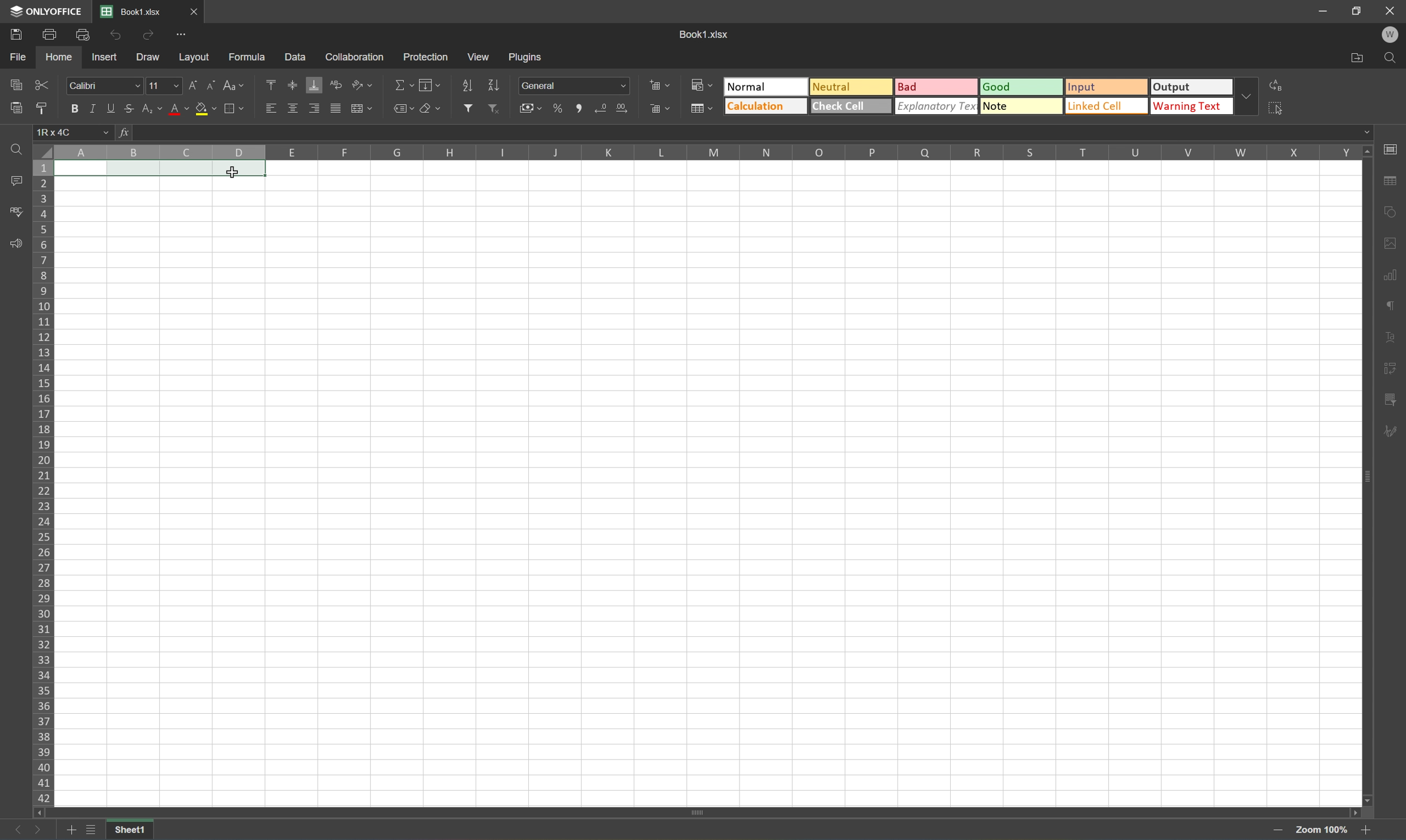 Image resolution: width=1406 pixels, height=840 pixels. Describe the element at coordinates (57, 58) in the screenshot. I see `Home` at that location.